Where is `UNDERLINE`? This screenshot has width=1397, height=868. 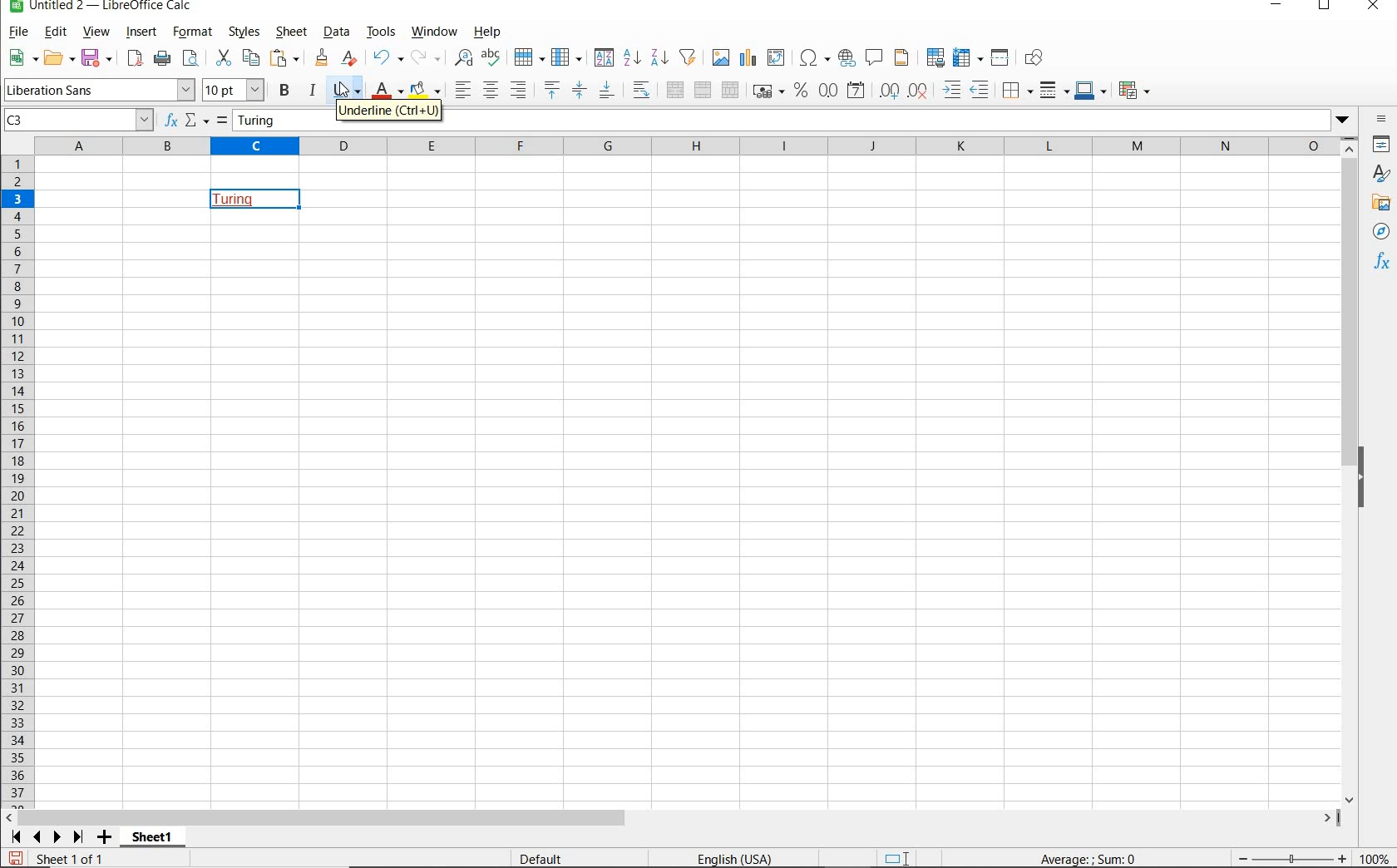 UNDERLINE is located at coordinates (345, 88).